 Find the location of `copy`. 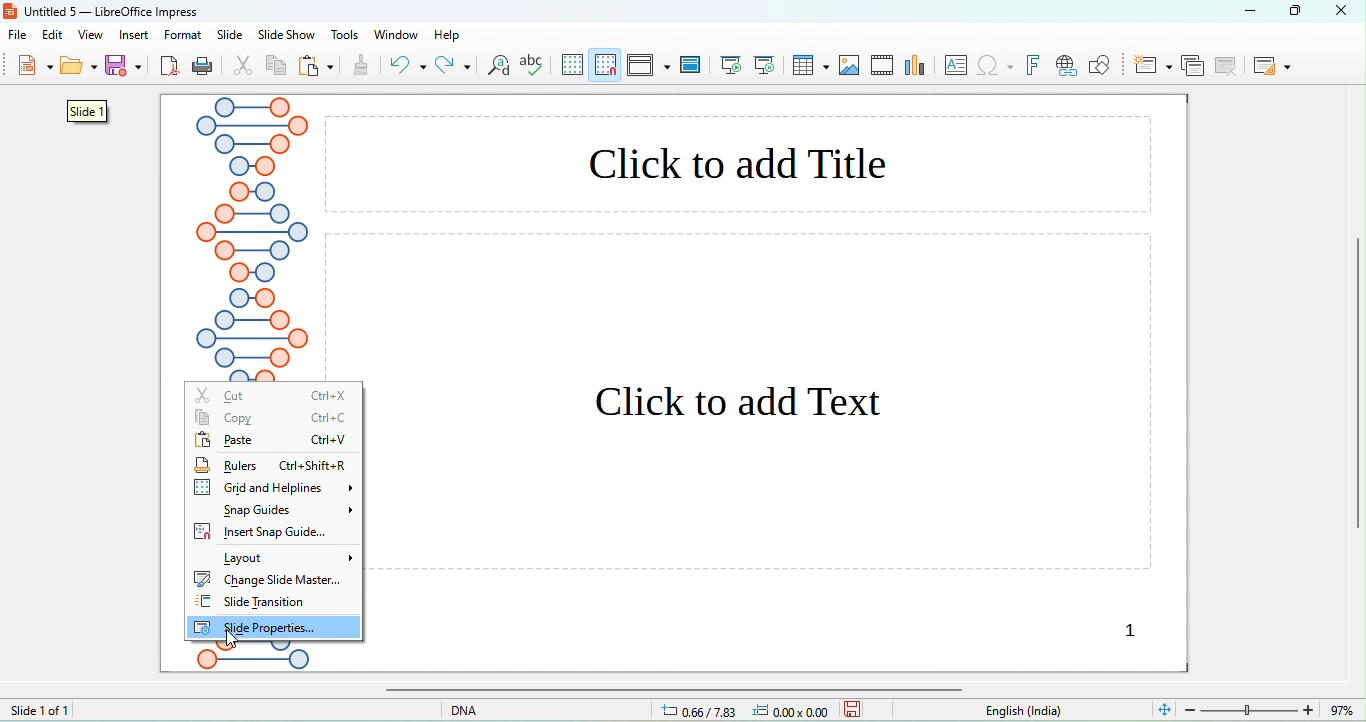

copy is located at coordinates (277, 68).